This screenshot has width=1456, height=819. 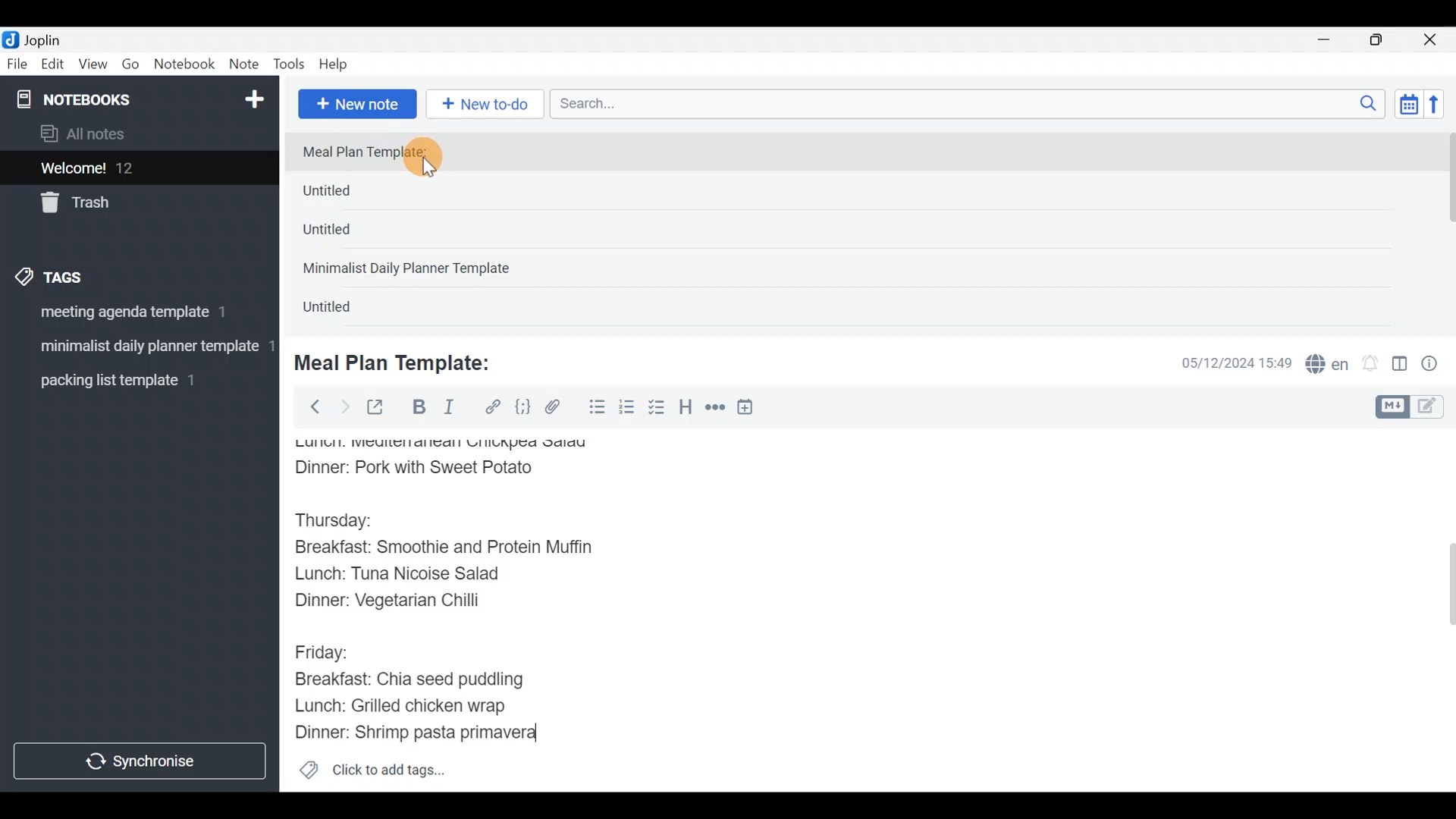 I want to click on Checkbox, so click(x=658, y=409).